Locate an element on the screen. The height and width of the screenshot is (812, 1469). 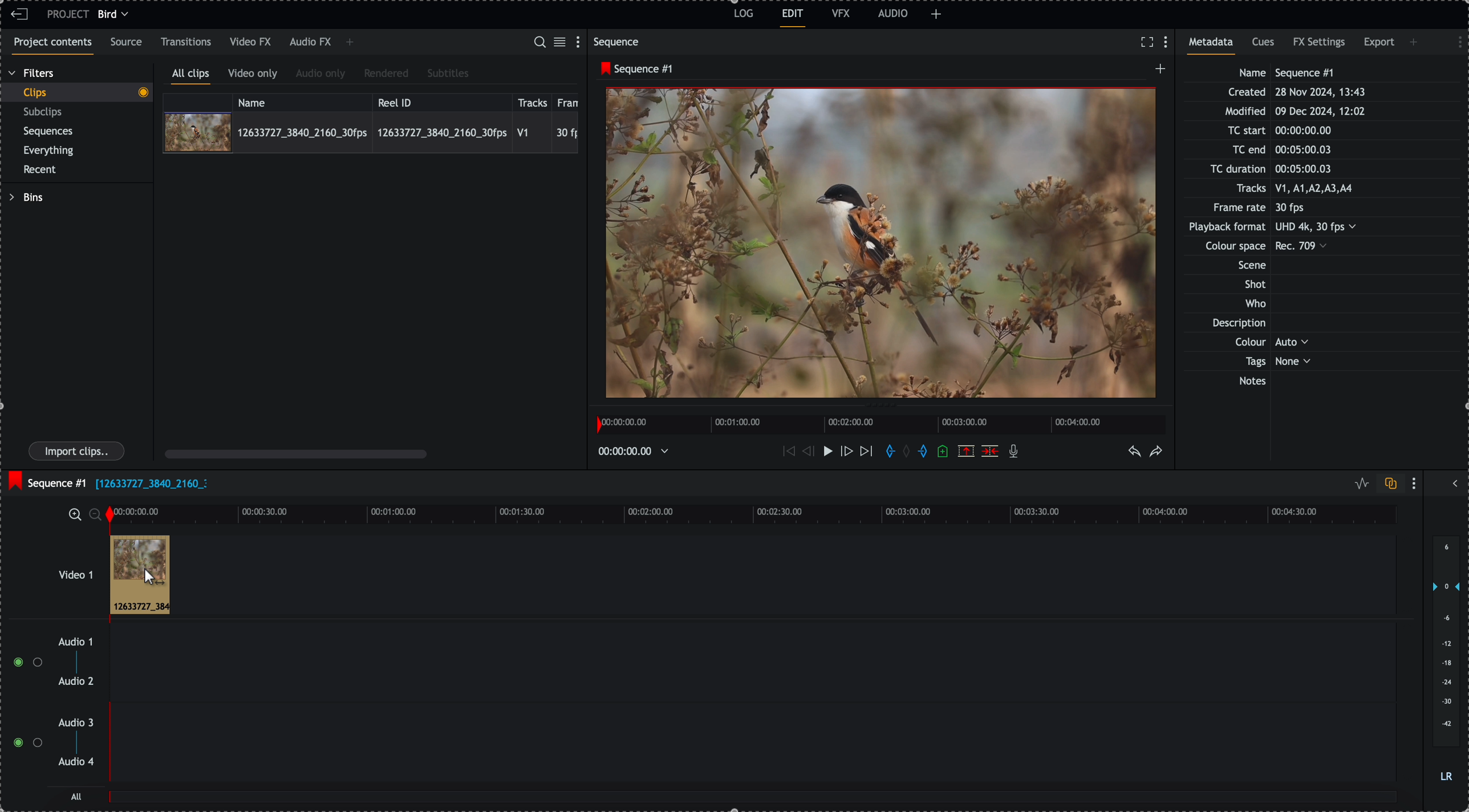
picture is located at coordinates (881, 246).